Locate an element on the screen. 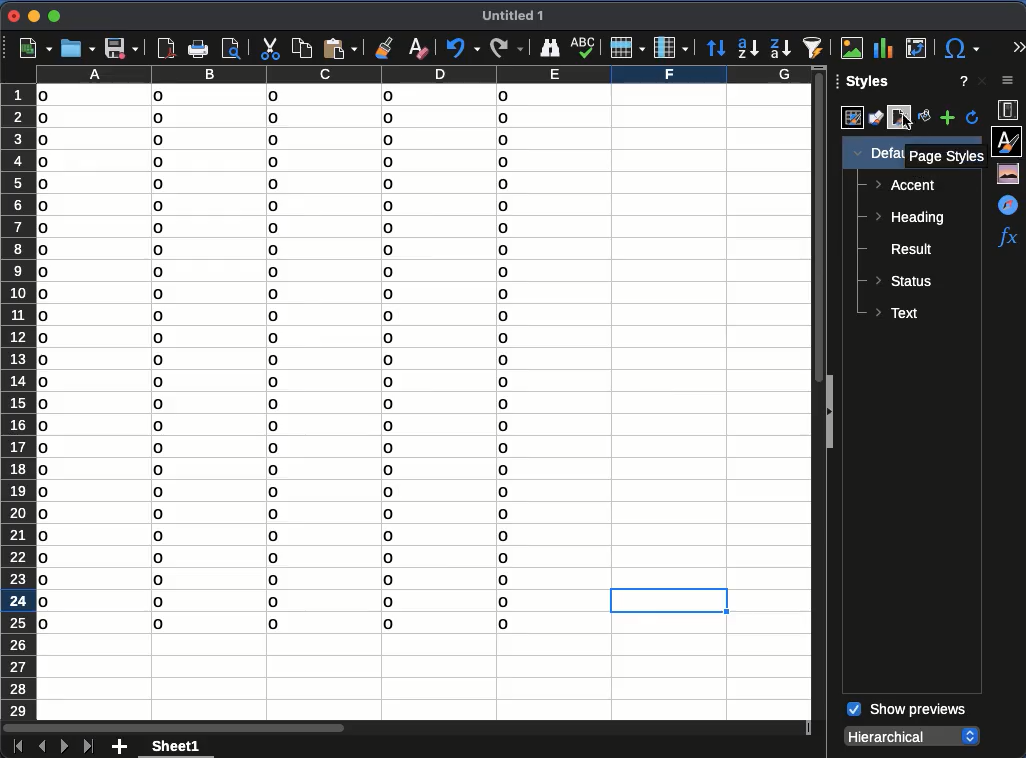  add is located at coordinates (121, 747).